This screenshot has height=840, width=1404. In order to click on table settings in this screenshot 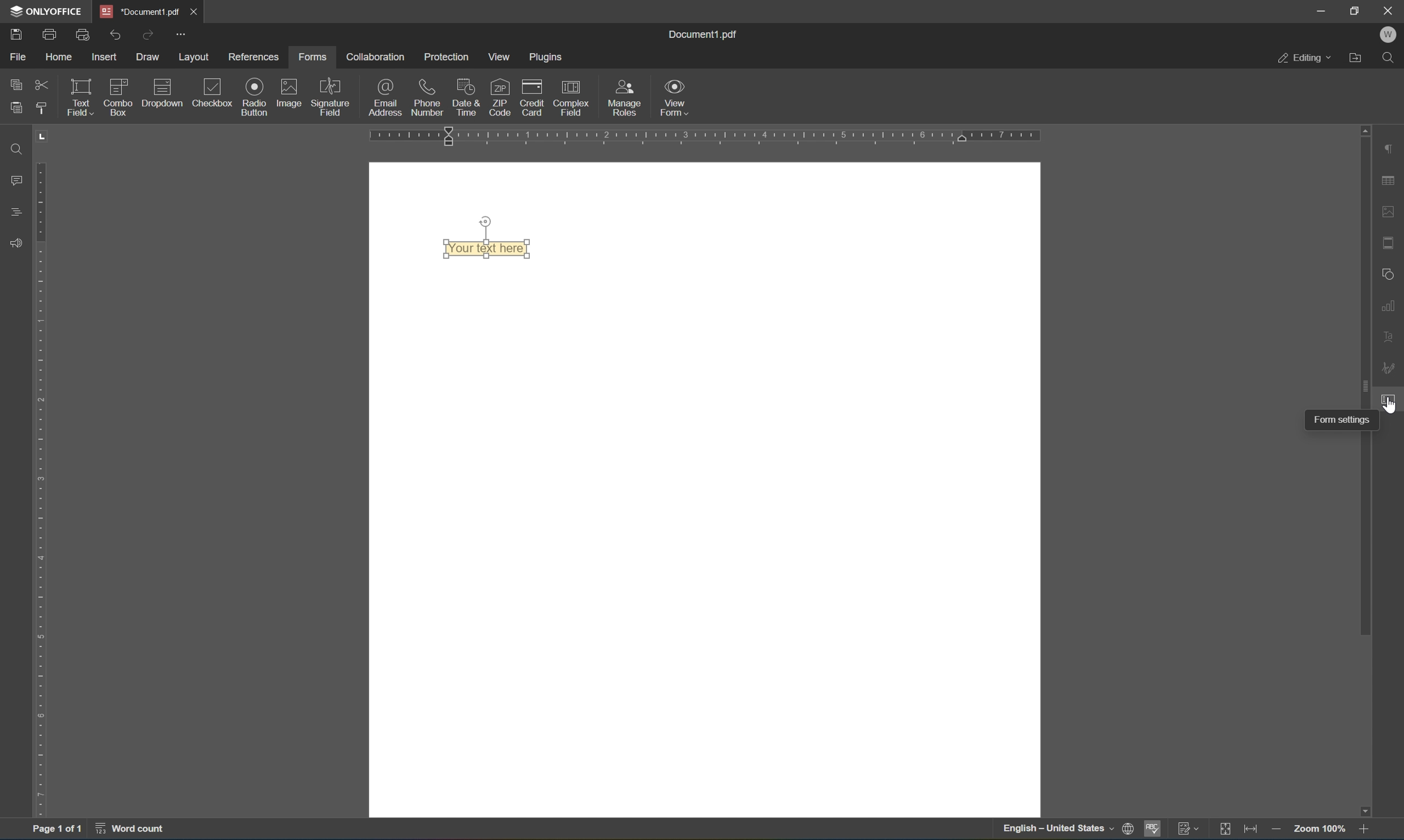, I will do `click(1390, 181)`.